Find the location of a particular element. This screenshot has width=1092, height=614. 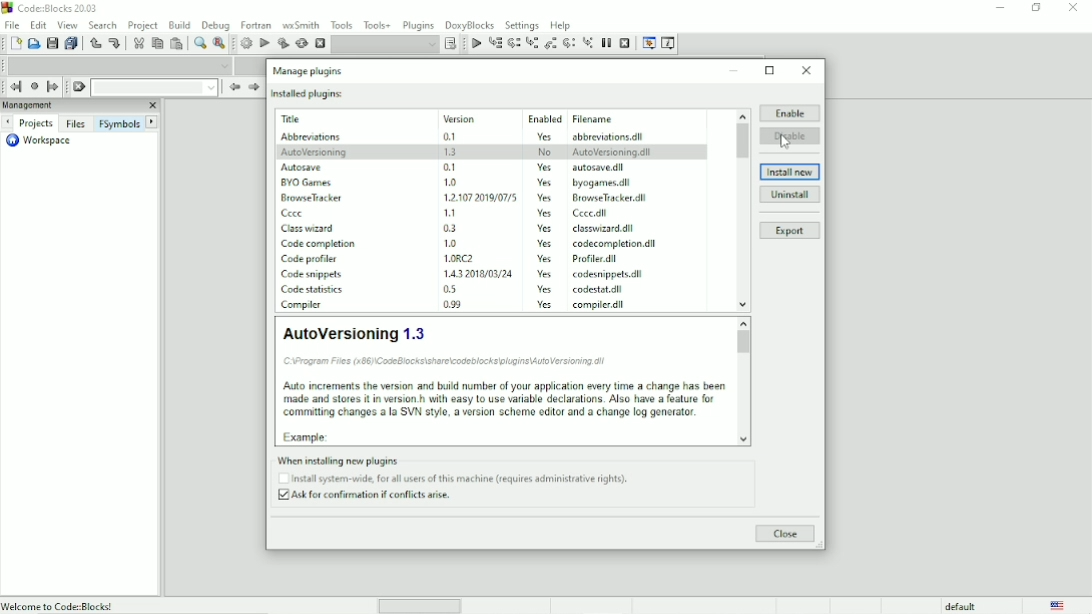

Next line is located at coordinates (515, 44).